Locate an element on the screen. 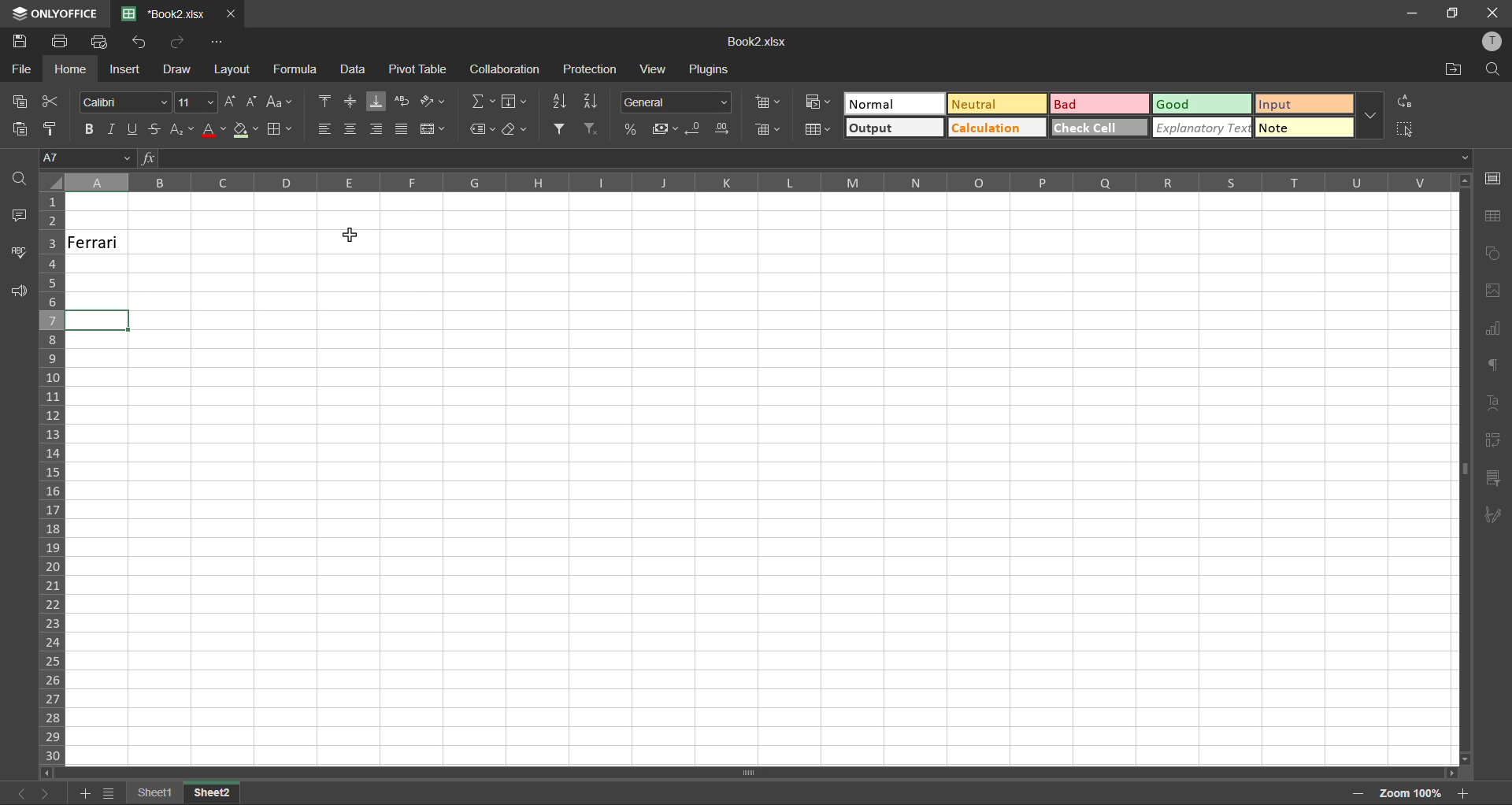 The image size is (1512, 805). cell settings is located at coordinates (1497, 180).